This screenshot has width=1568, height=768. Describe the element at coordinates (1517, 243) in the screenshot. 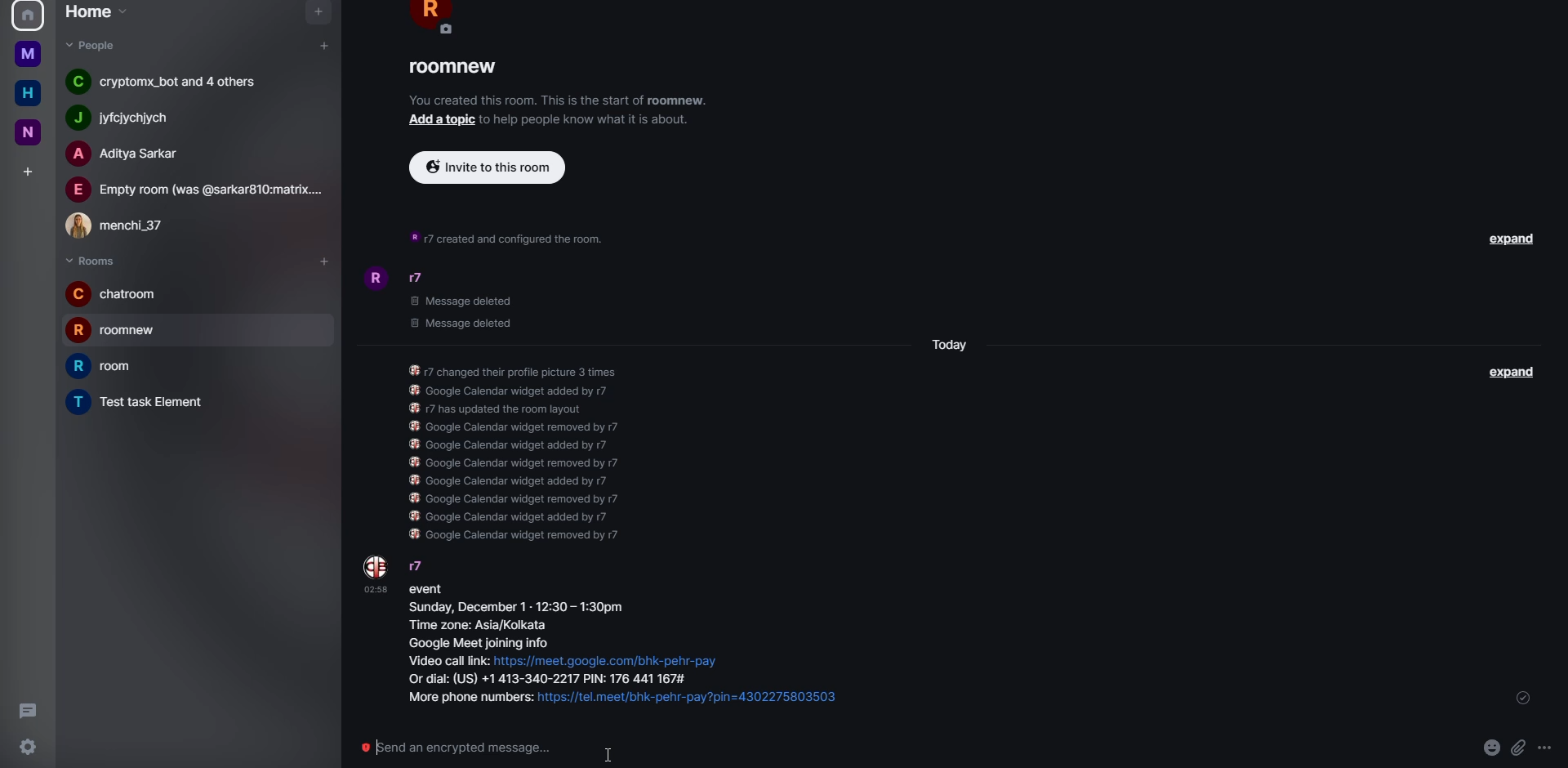

I see `expand` at that location.